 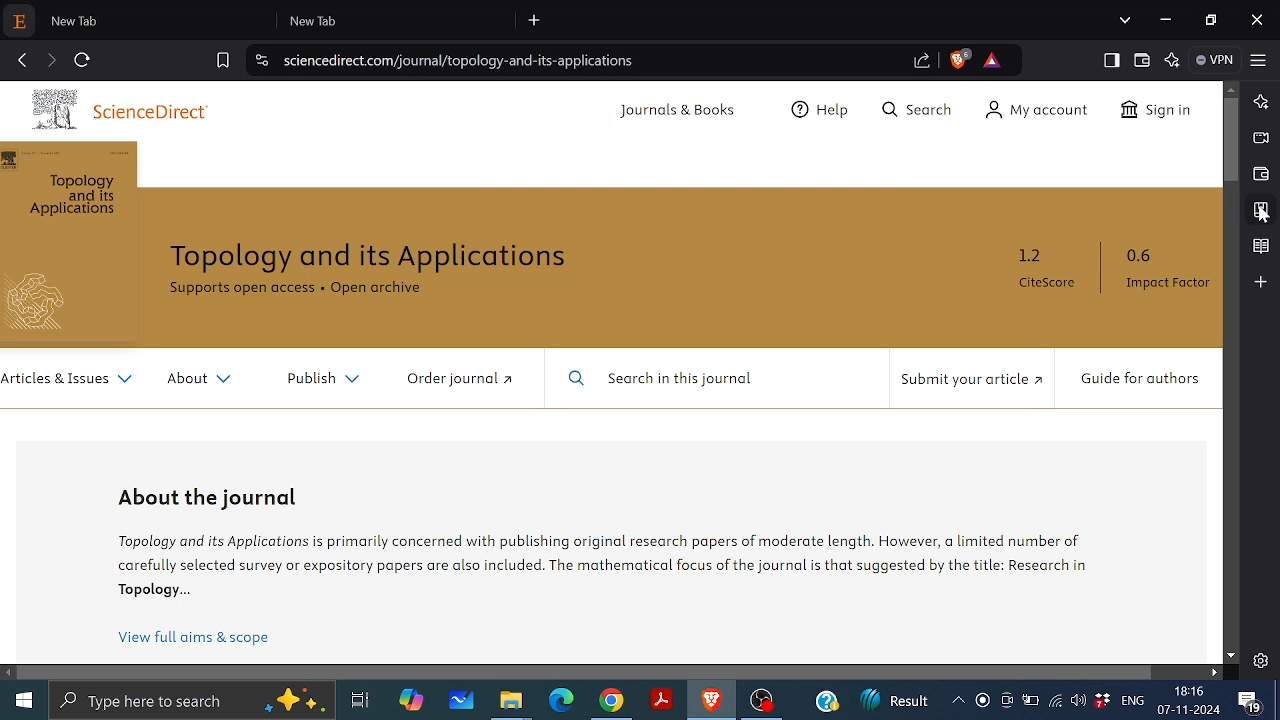 What do you see at coordinates (611, 703) in the screenshot?
I see `Chrome` at bounding box center [611, 703].